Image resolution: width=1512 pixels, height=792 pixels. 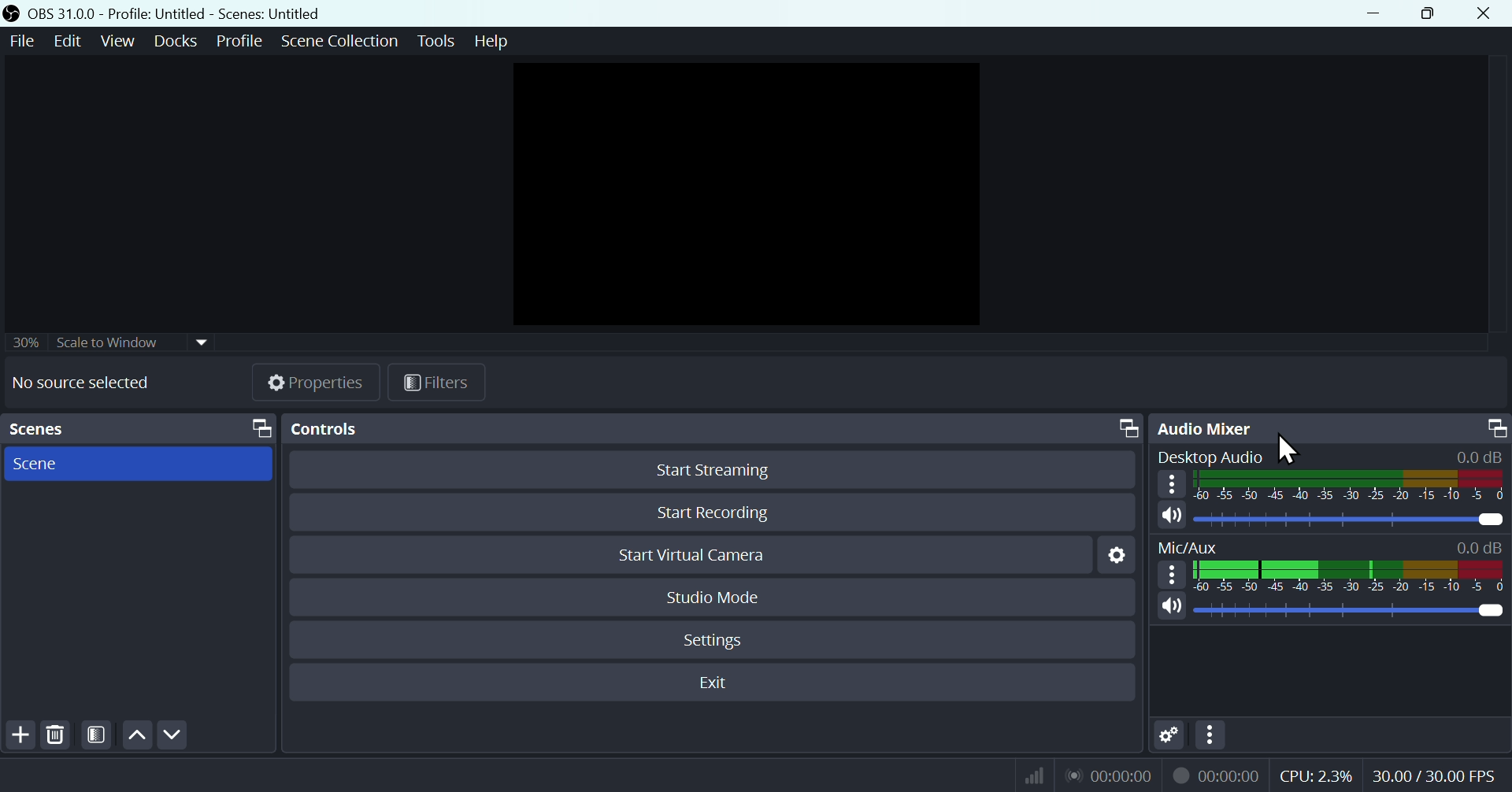 I want to click on Frame Per Second, so click(x=1435, y=775).